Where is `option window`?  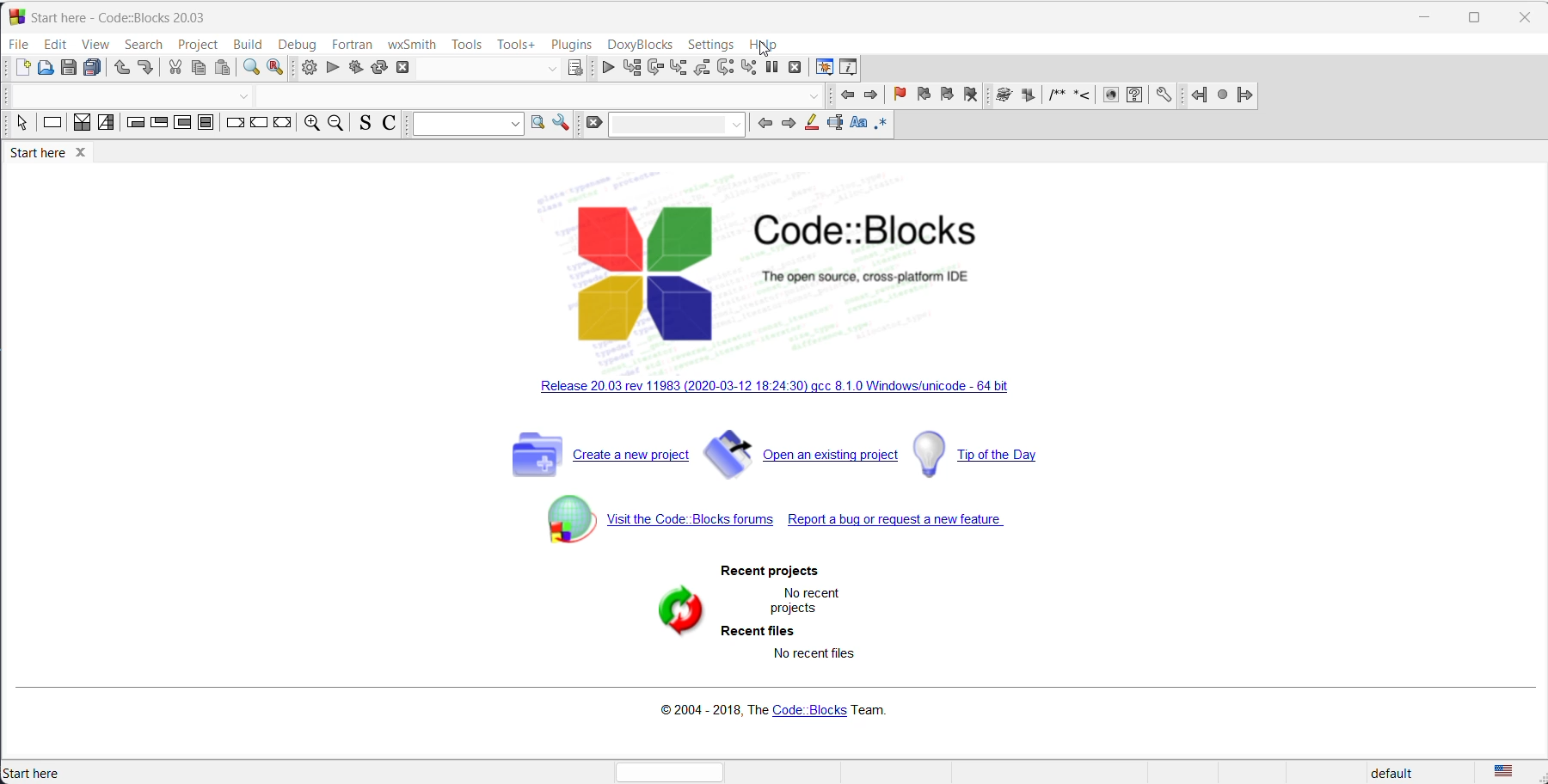 option window is located at coordinates (564, 126).